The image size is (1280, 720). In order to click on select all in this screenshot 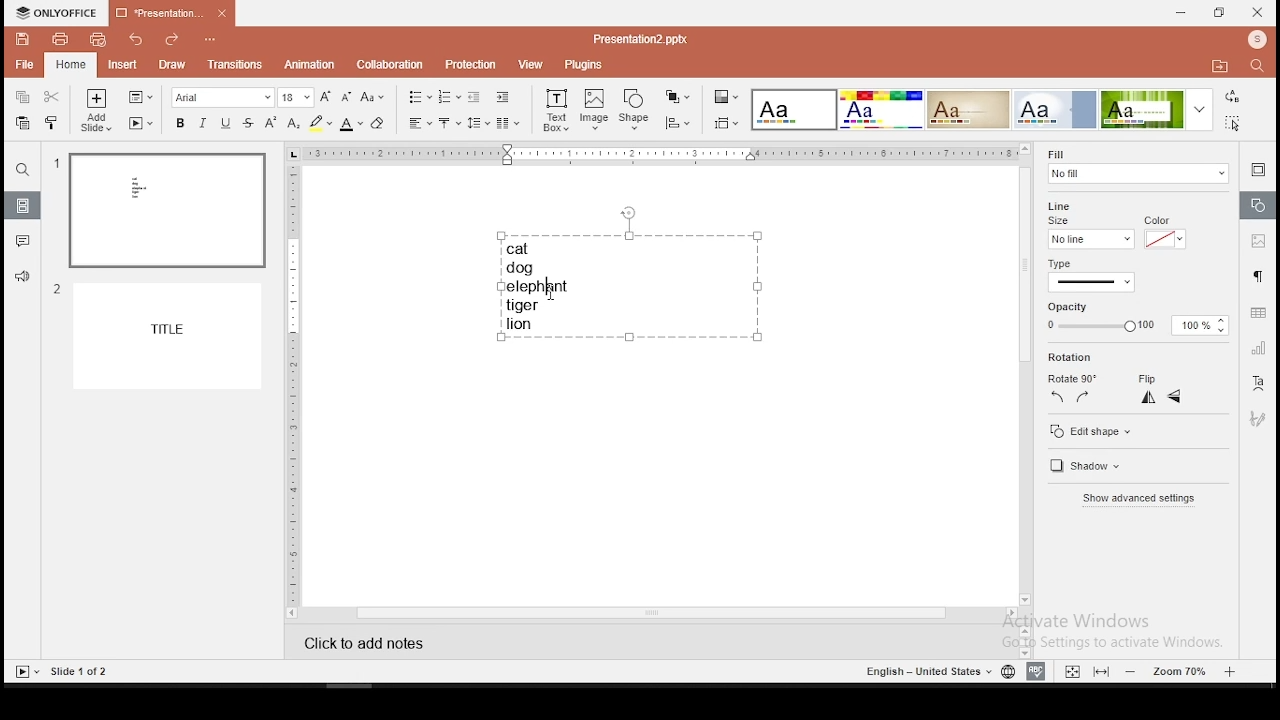, I will do `click(1234, 125)`.